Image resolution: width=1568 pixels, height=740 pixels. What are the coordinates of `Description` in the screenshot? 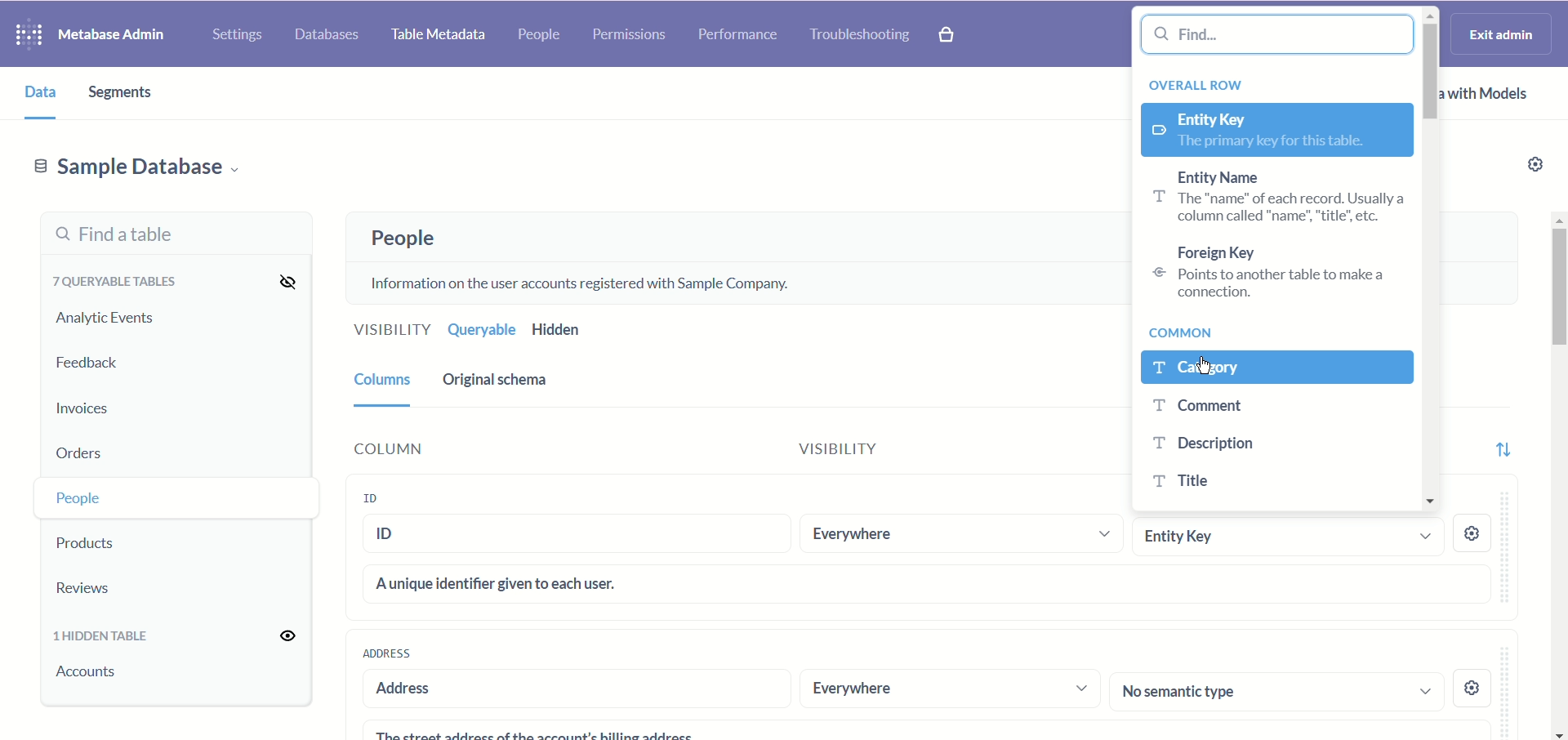 It's located at (1261, 445).